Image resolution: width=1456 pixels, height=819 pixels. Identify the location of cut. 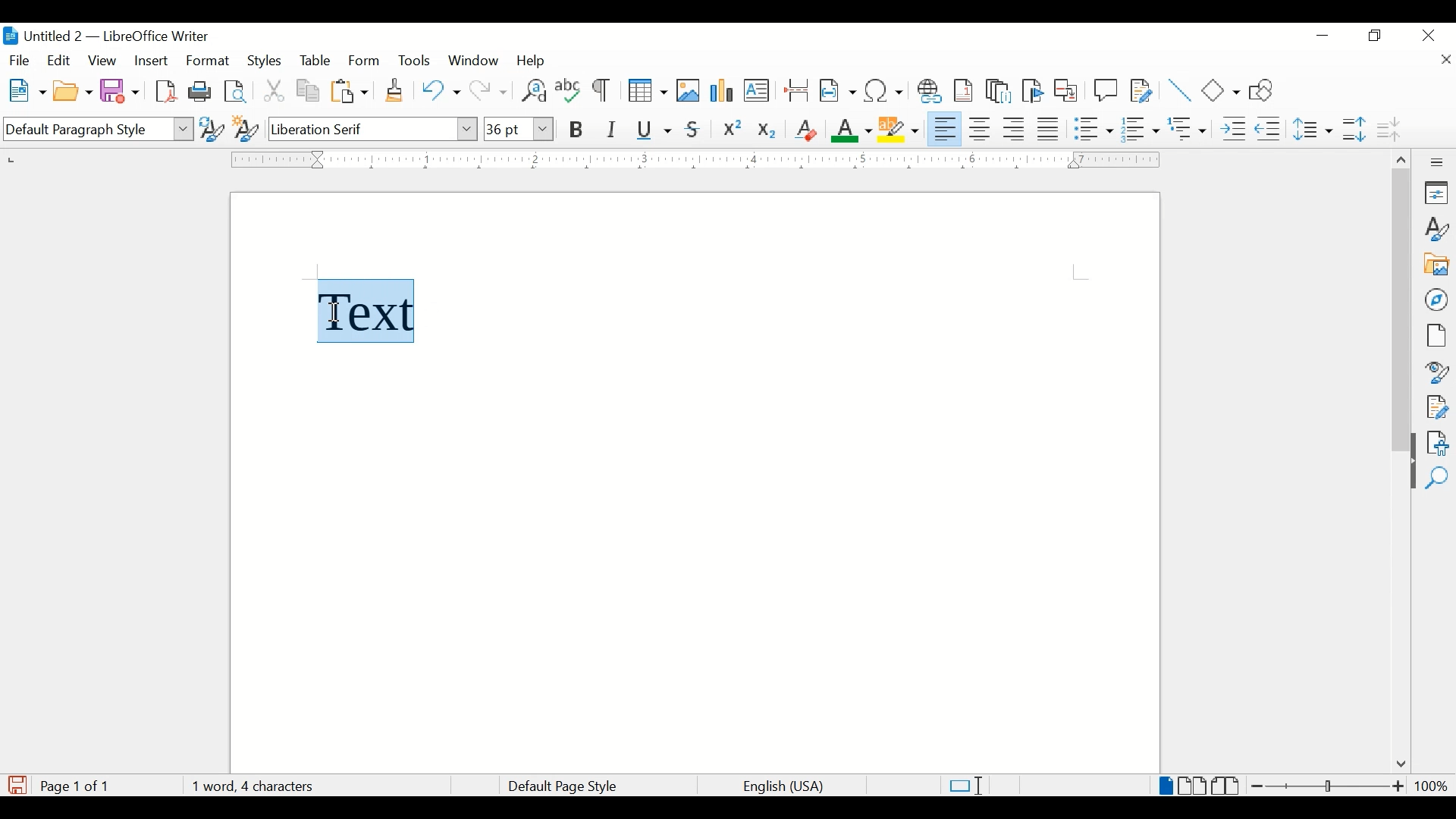
(275, 90).